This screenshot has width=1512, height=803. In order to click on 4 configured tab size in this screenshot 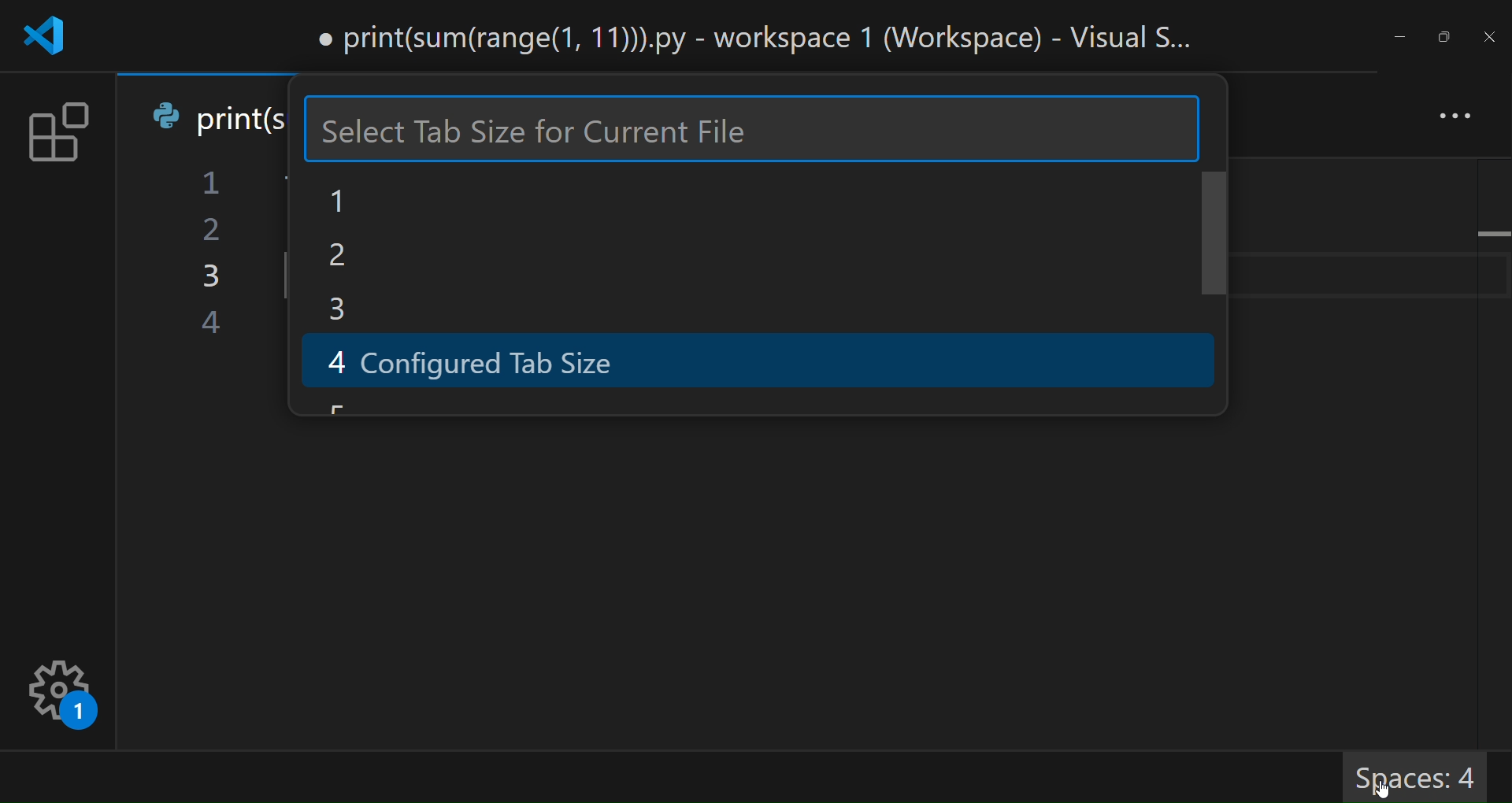, I will do `click(495, 360)`.